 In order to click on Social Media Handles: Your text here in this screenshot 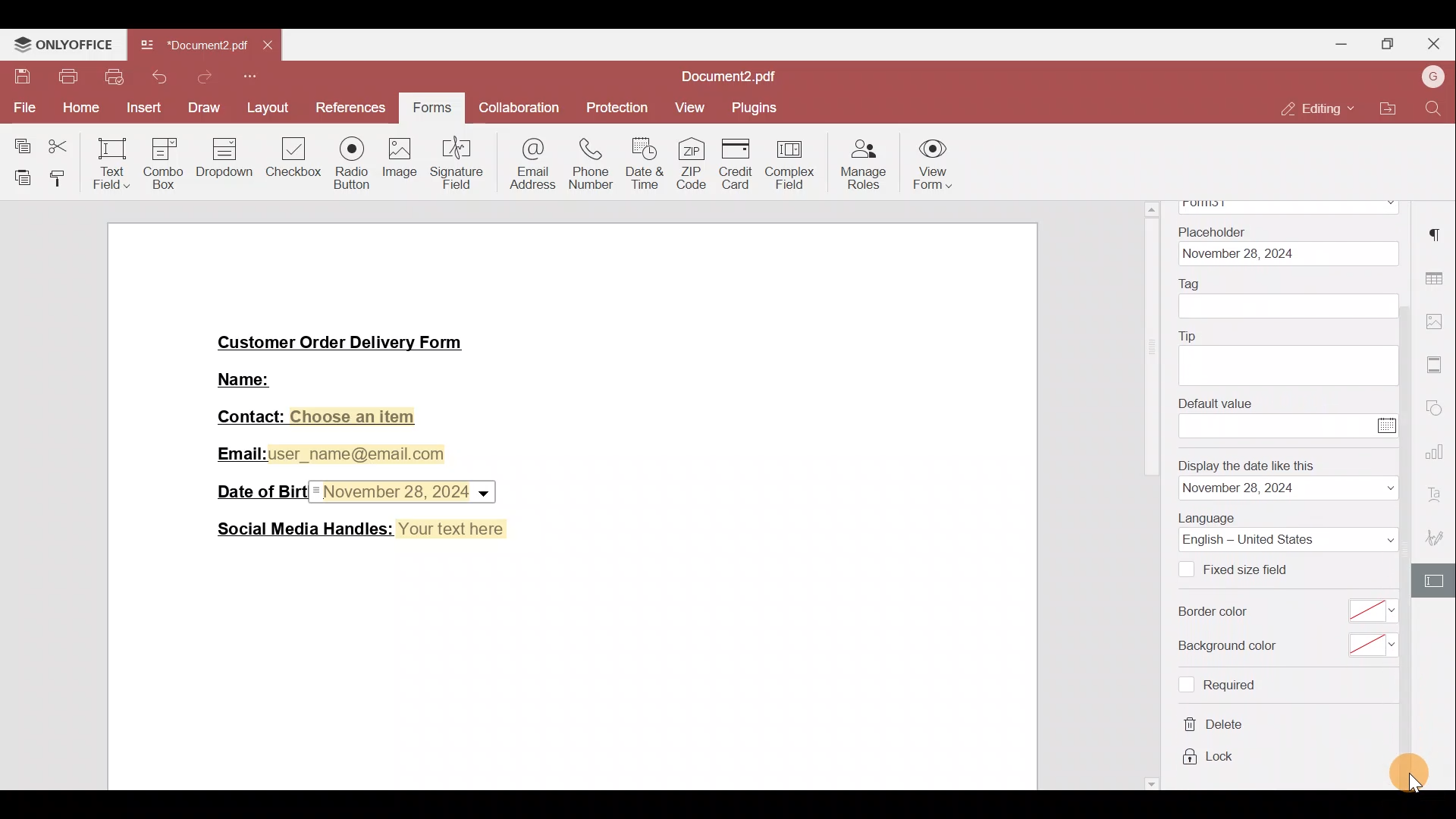, I will do `click(362, 528)`.